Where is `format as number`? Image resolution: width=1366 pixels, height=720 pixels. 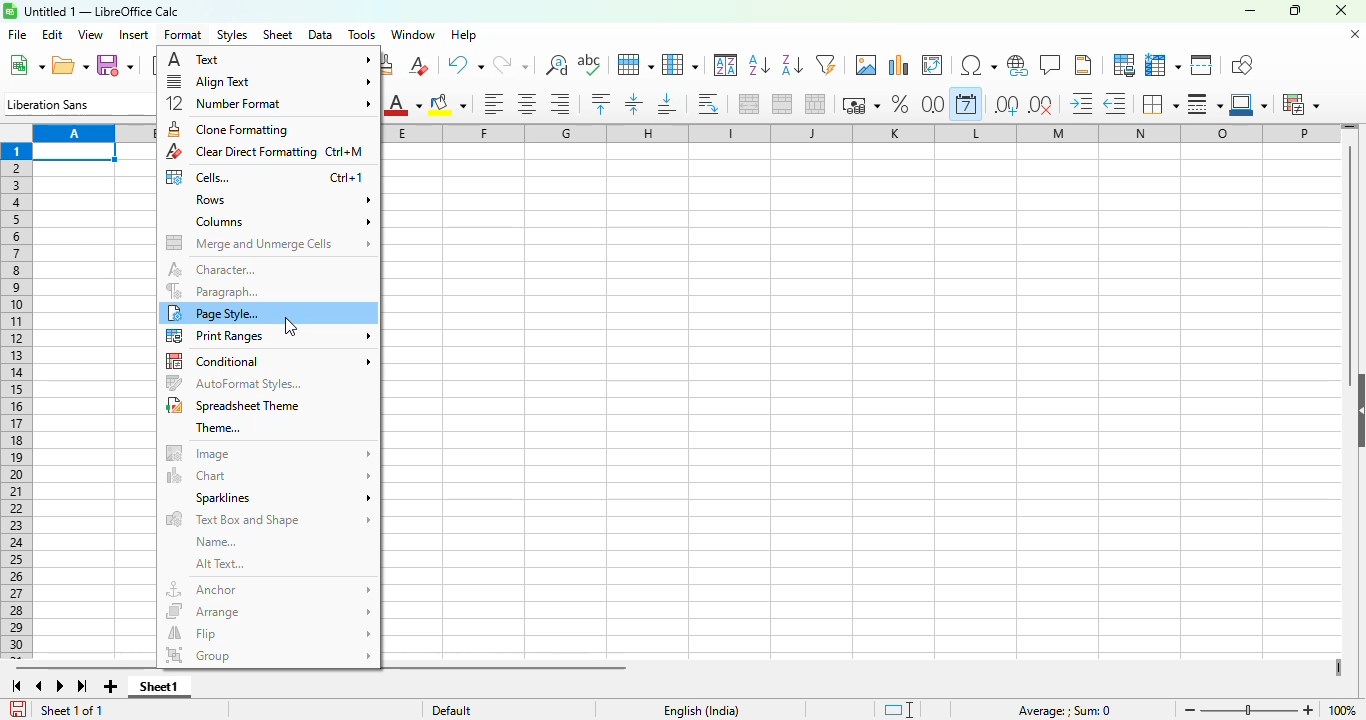 format as number is located at coordinates (934, 103).